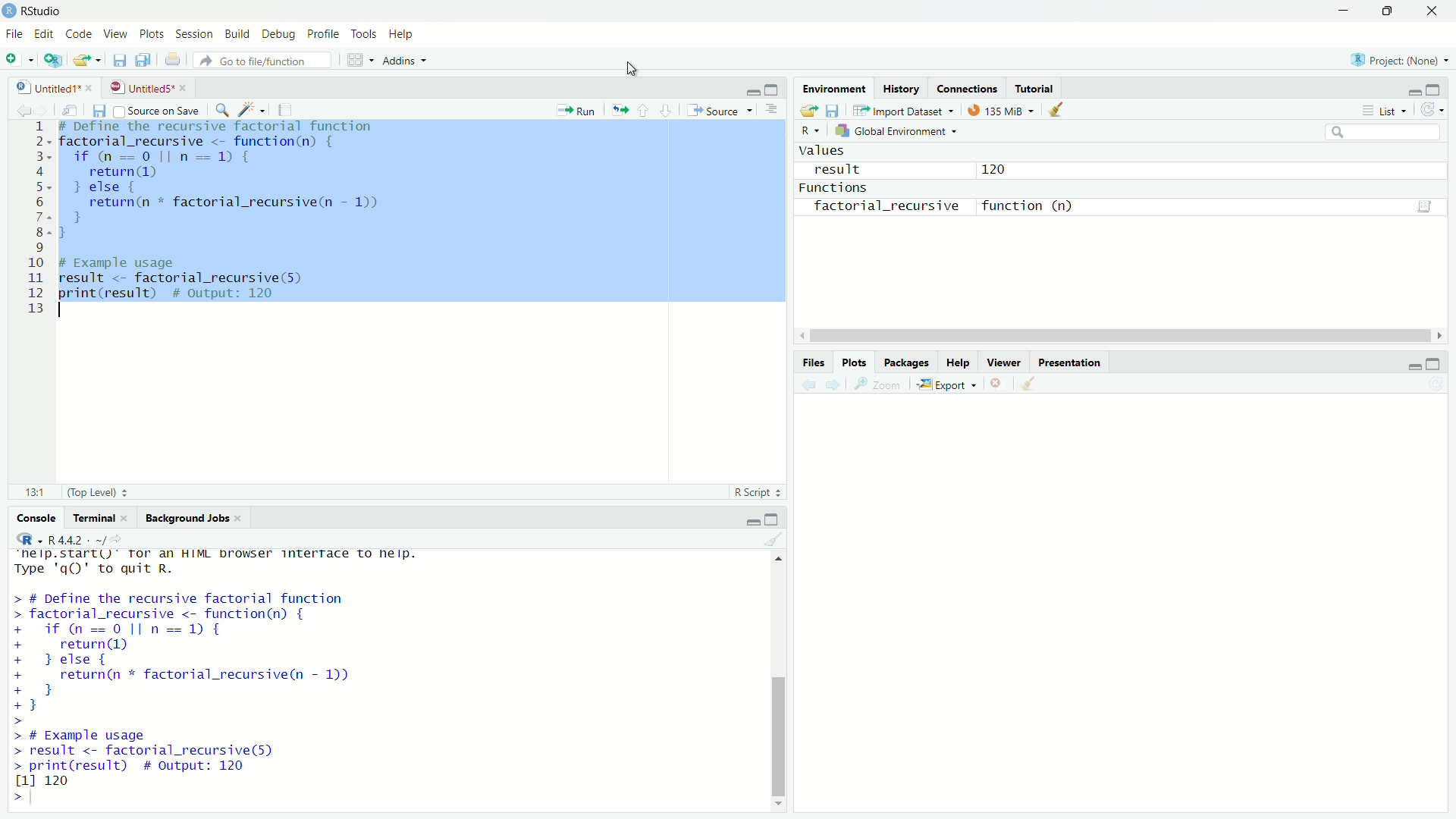  What do you see at coordinates (121, 61) in the screenshot?
I see `Save current document (Ctrl + S)` at bounding box center [121, 61].